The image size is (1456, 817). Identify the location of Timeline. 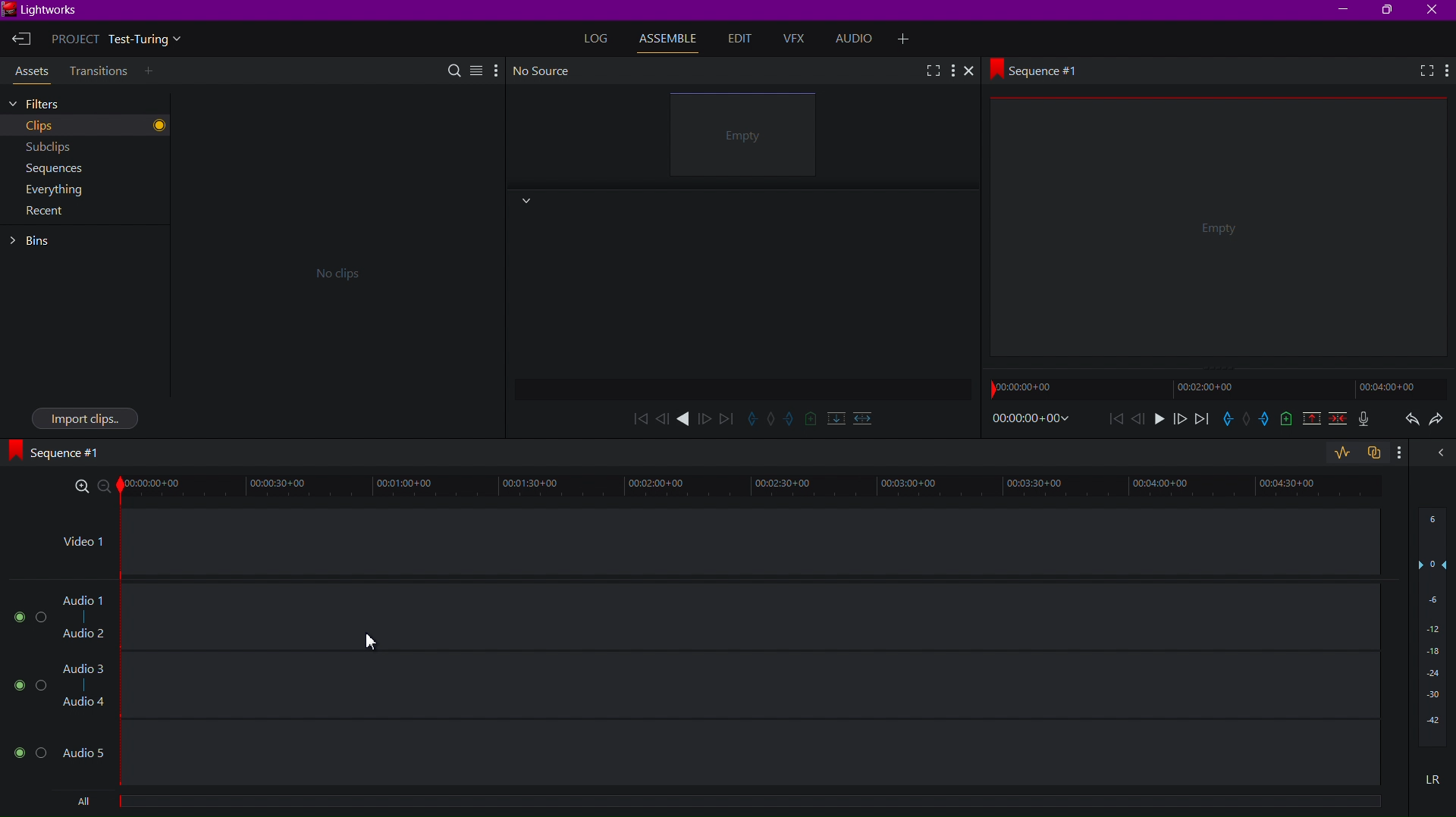
(755, 807).